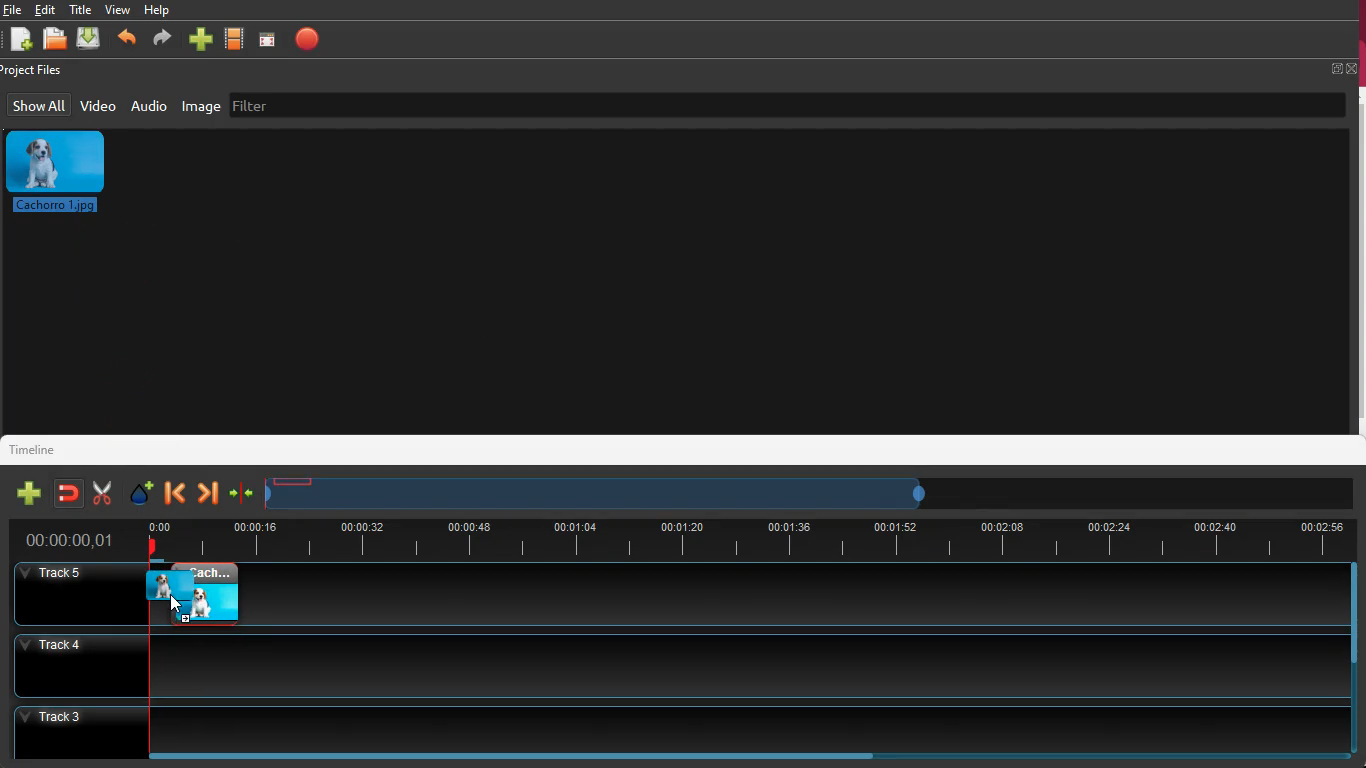  What do you see at coordinates (1344, 68) in the screenshot?
I see `full screen` at bounding box center [1344, 68].